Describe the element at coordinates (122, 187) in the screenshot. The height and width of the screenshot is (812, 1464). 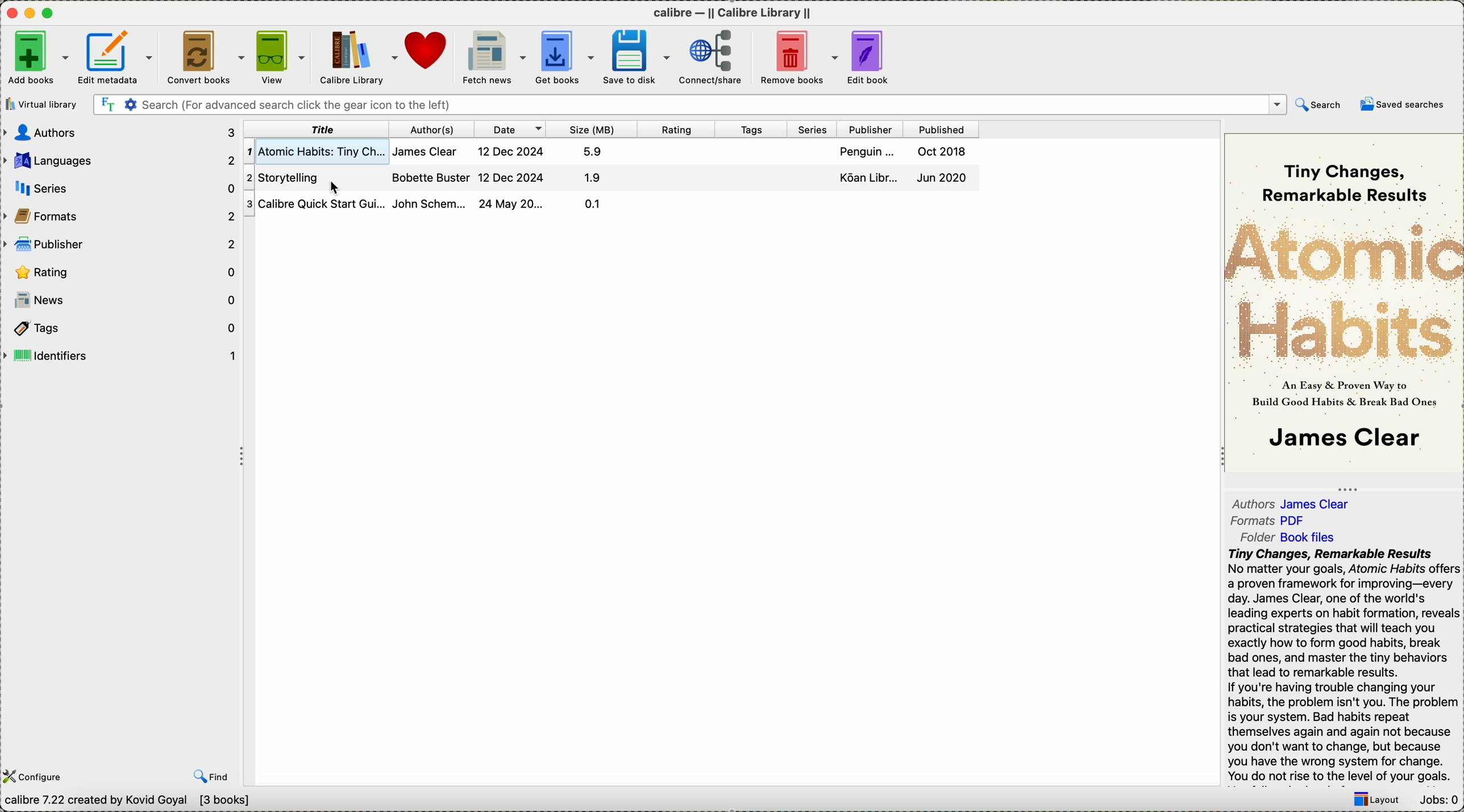
I see `series` at that location.